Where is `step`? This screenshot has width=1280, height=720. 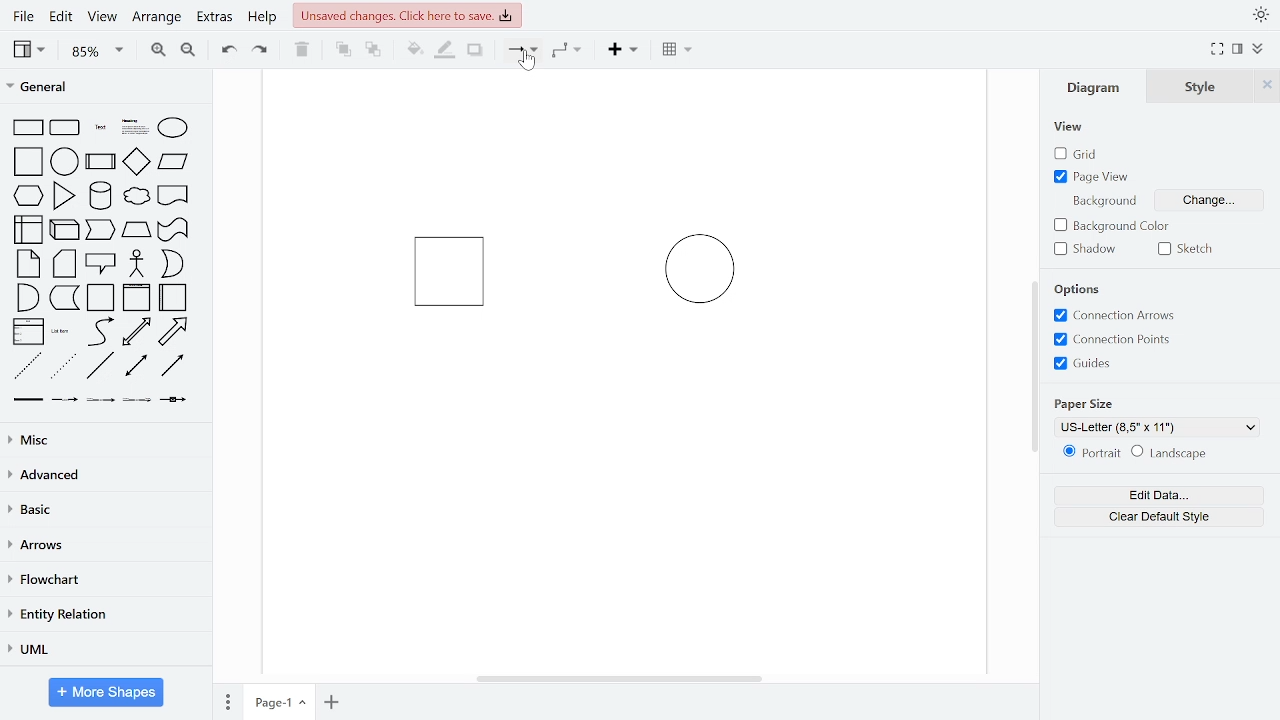
step is located at coordinates (99, 230).